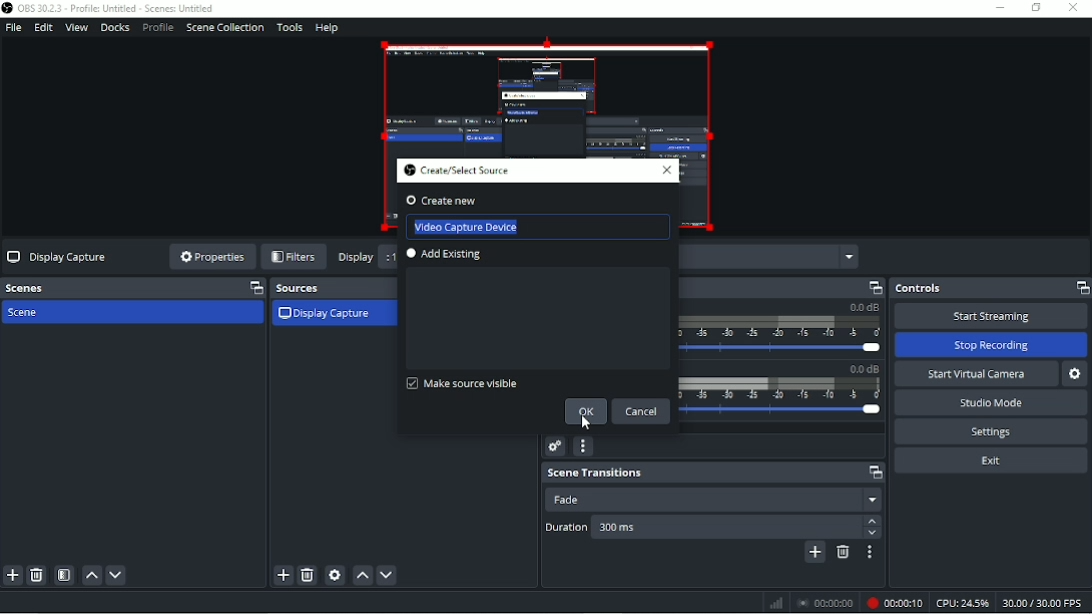 The height and width of the screenshot is (614, 1092). What do you see at coordinates (556, 446) in the screenshot?
I see `Advanced audio properties` at bounding box center [556, 446].